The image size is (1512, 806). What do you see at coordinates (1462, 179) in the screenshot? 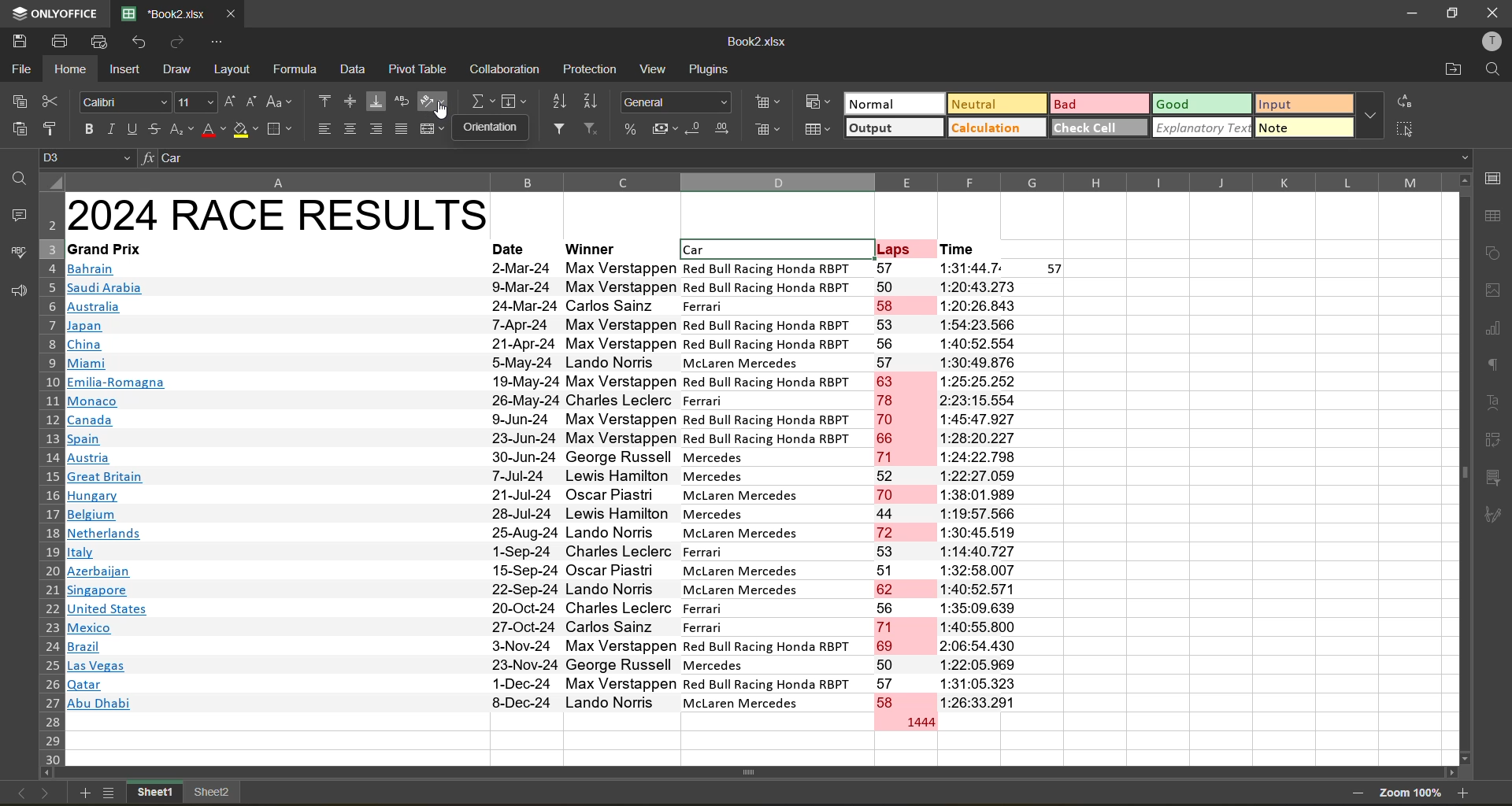
I see `Scroll up` at bounding box center [1462, 179].